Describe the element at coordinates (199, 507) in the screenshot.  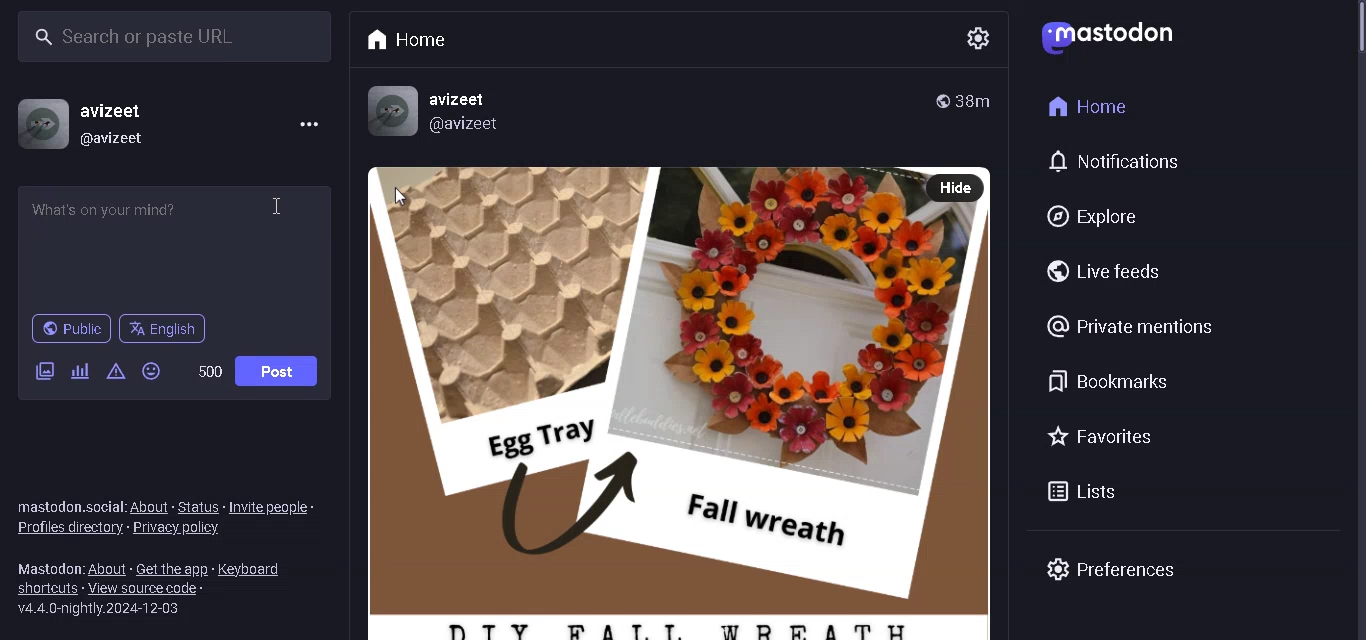
I see `status` at that location.